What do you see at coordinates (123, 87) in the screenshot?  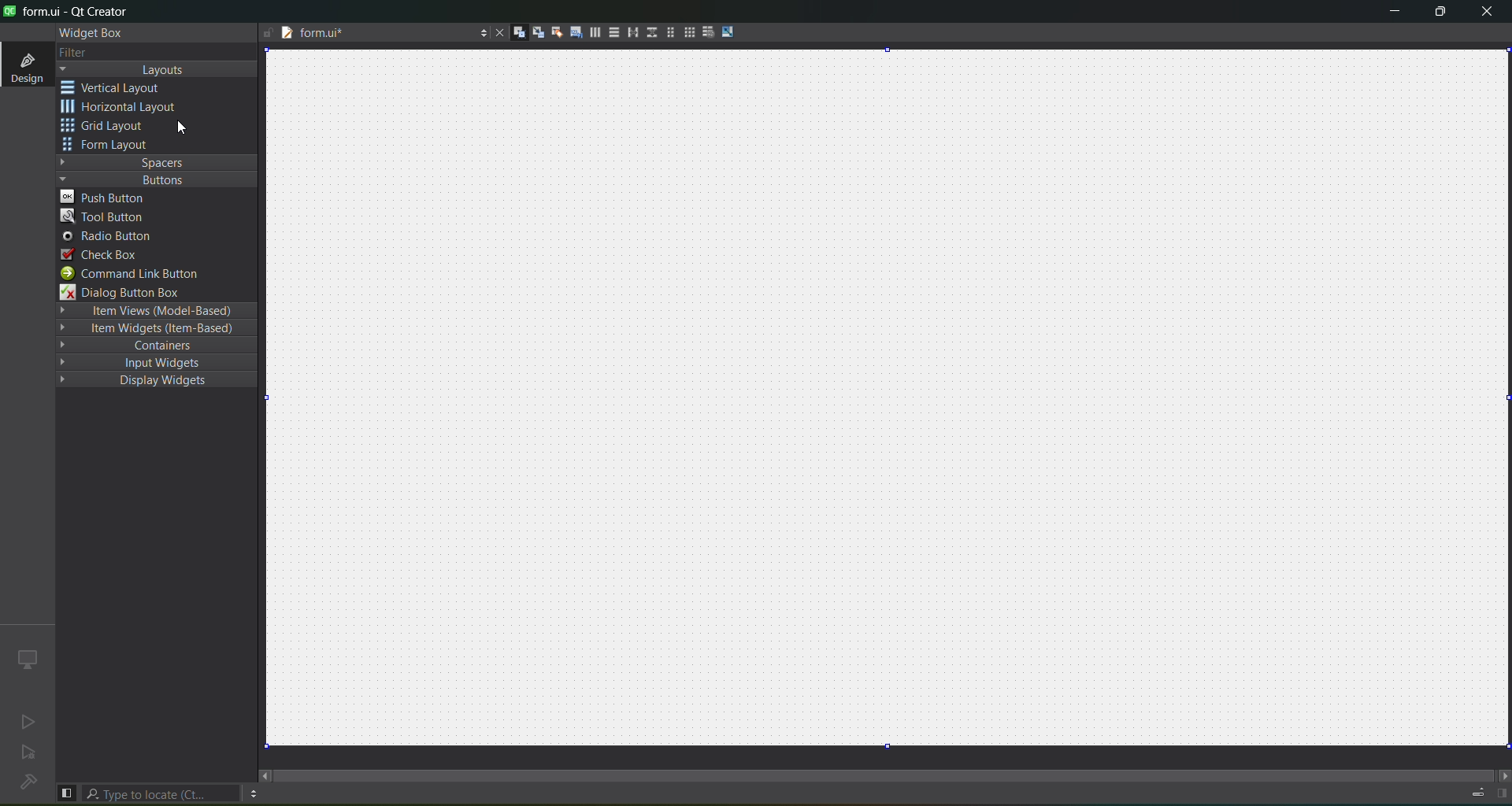 I see `vertical layout` at bounding box center [123, 87].